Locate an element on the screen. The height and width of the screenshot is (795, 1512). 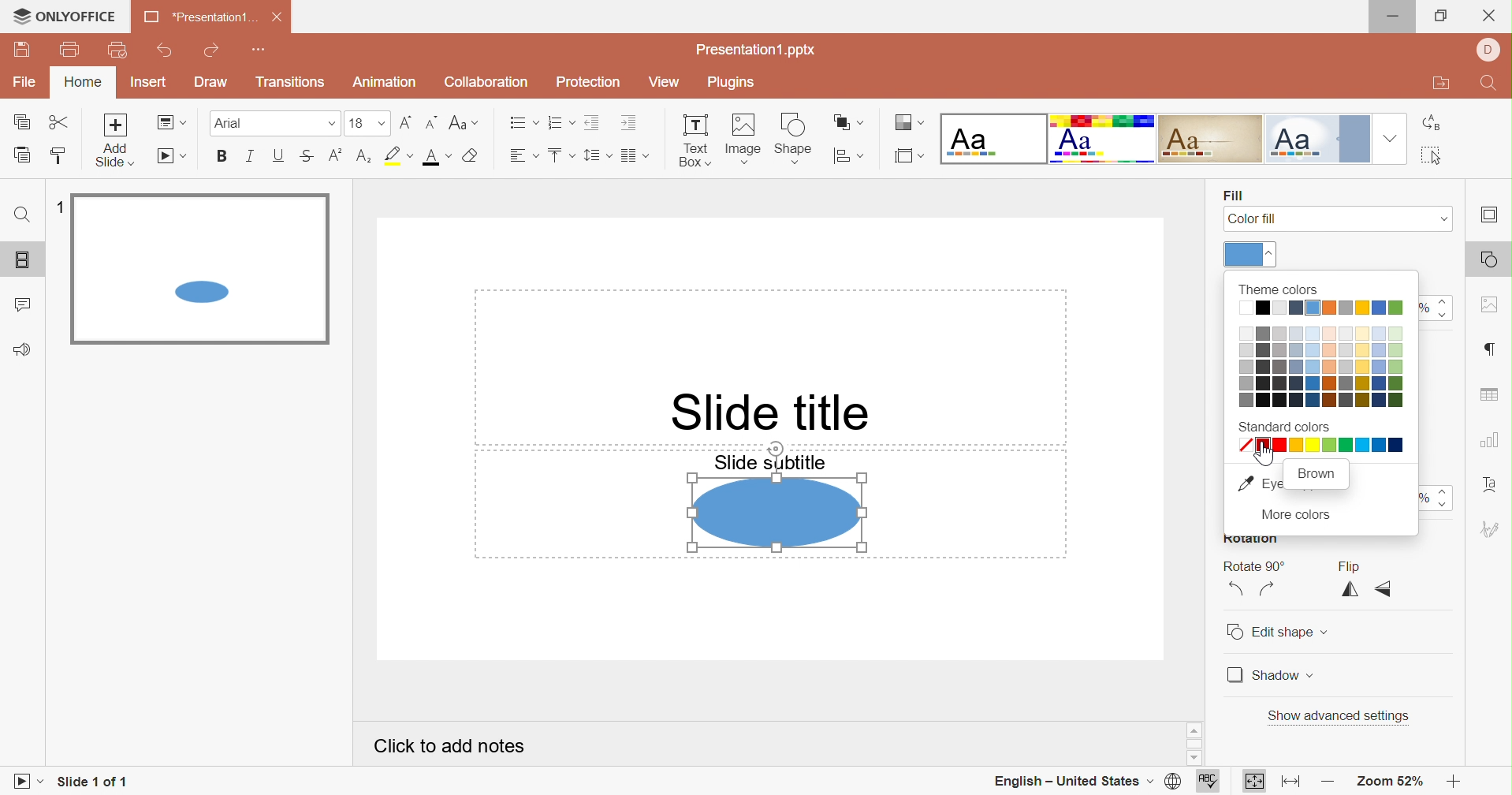
Redo is located at coordinates (214, 52).